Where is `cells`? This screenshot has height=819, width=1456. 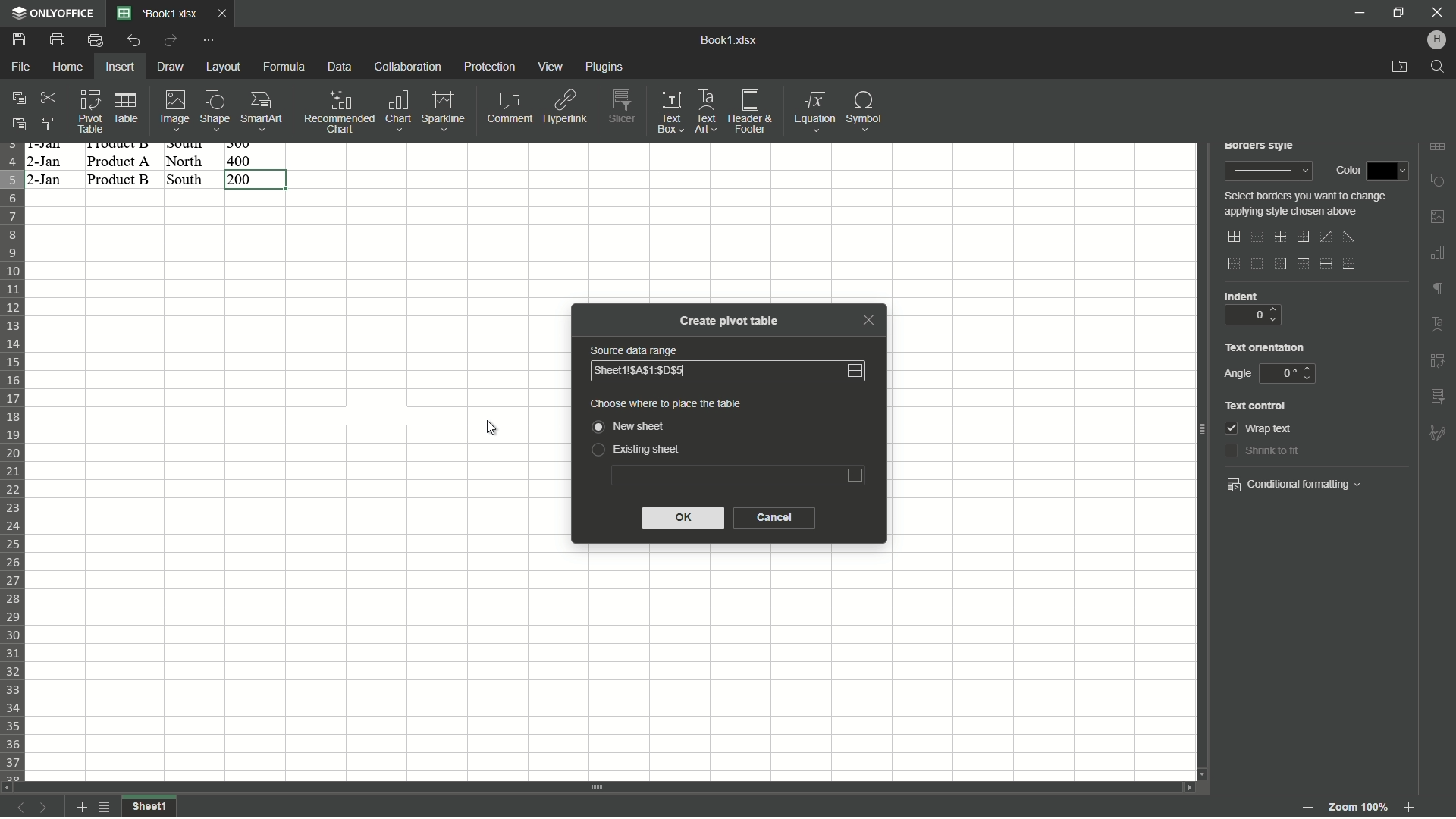 cells is located at coordinates (833, 664).